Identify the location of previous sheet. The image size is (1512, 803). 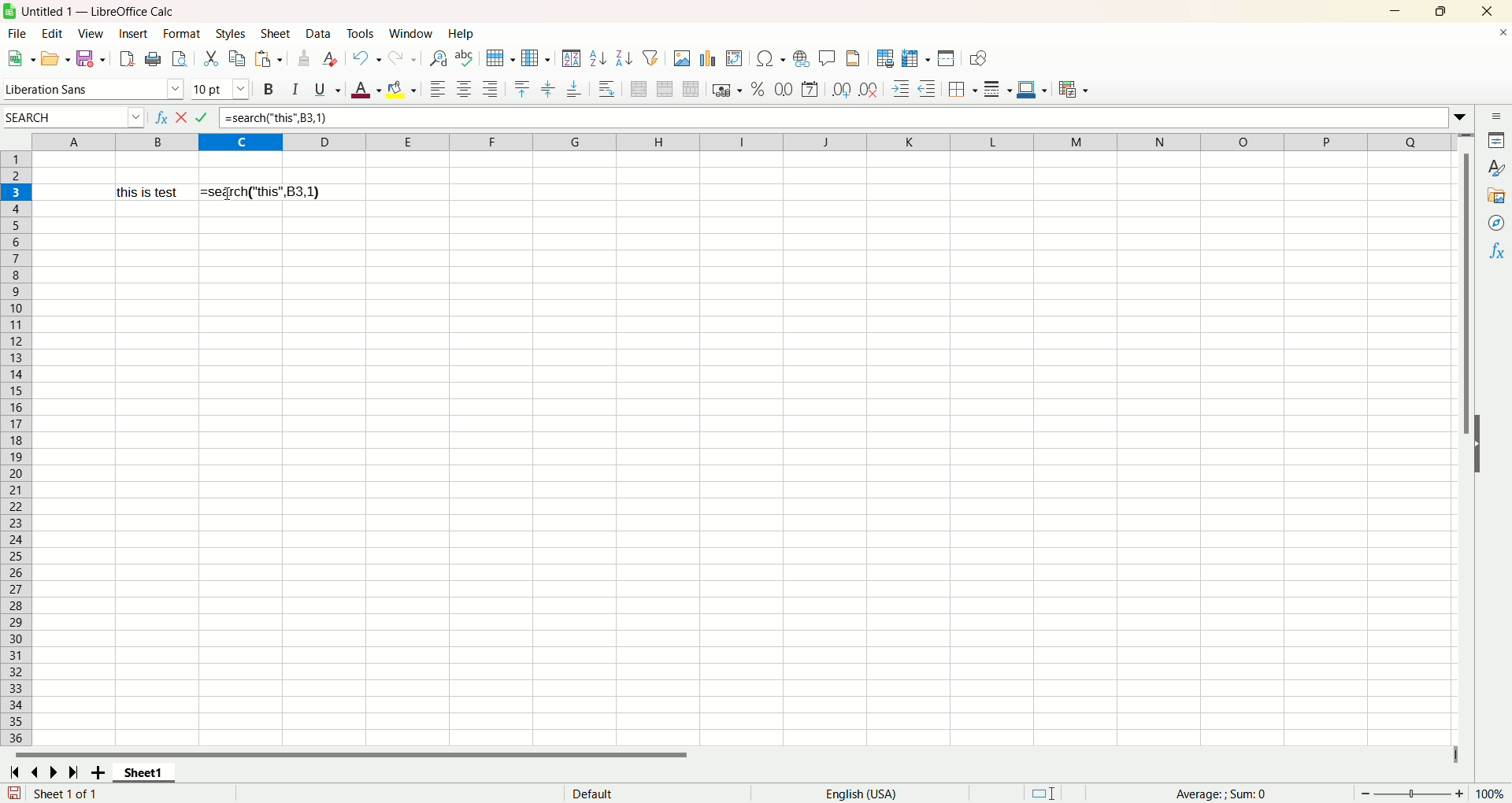
(37, 773).